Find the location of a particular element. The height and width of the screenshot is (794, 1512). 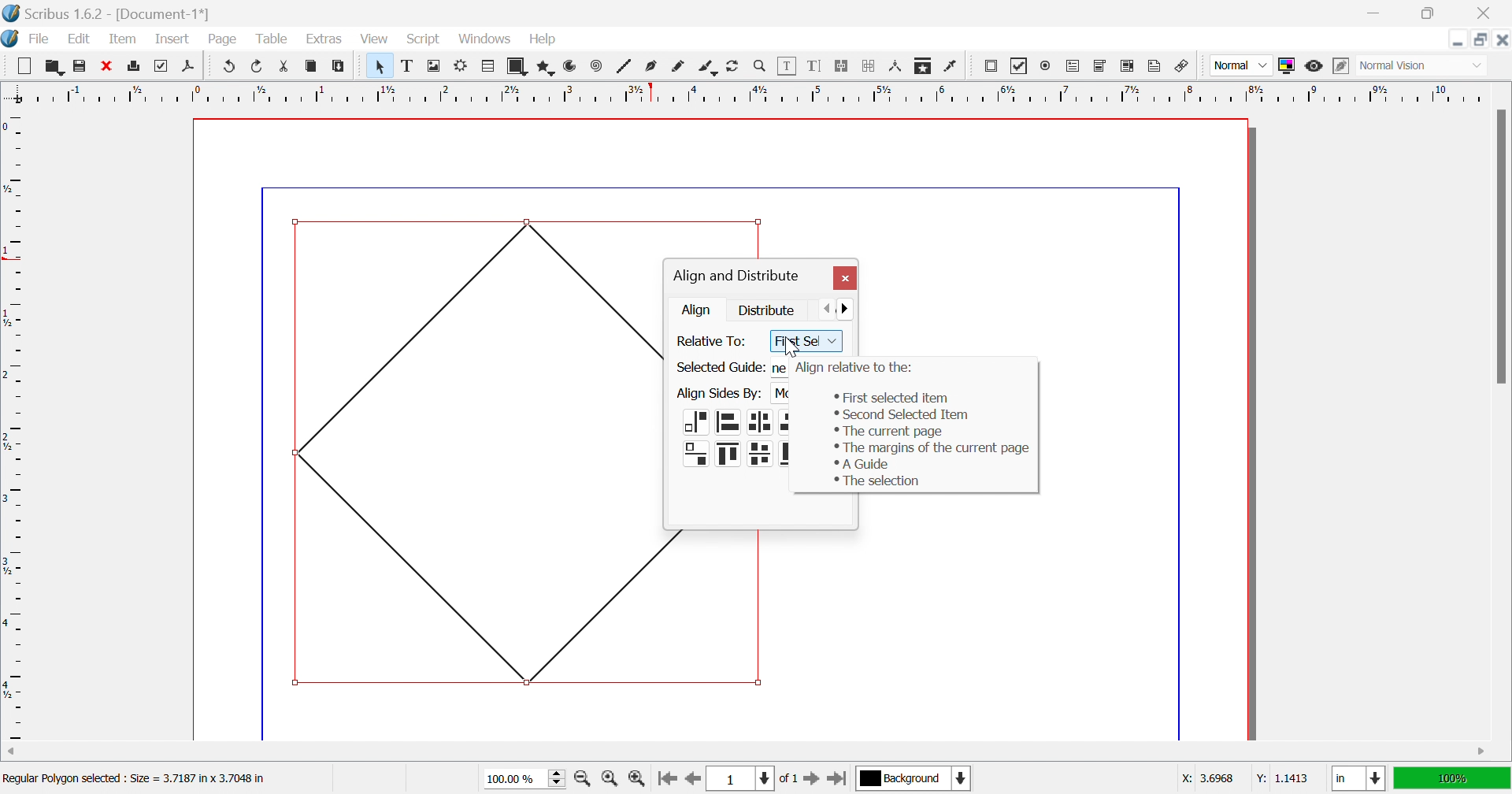

normal vision is located at coordinates (1410, 66).